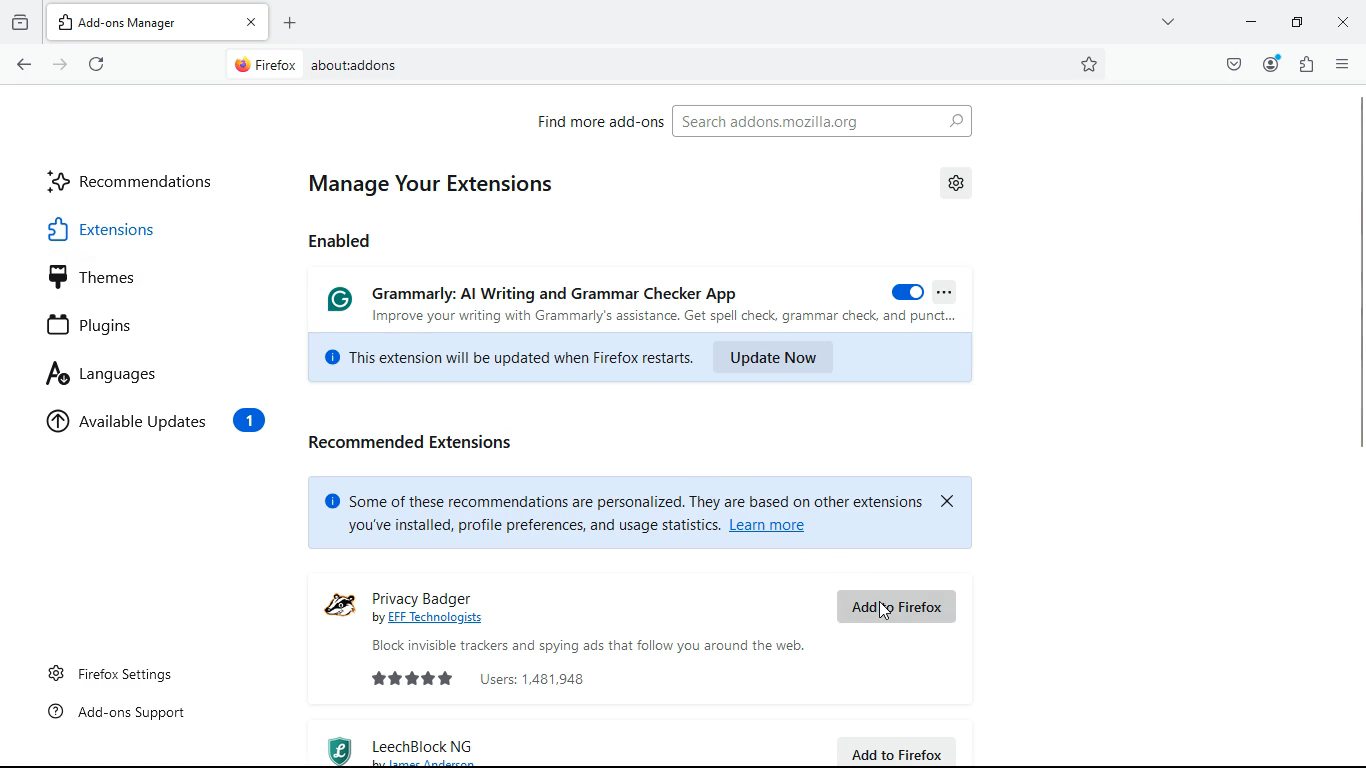 The width and height of the screenshot is (1366, 768). I want to click on rating, so click(414, 678).